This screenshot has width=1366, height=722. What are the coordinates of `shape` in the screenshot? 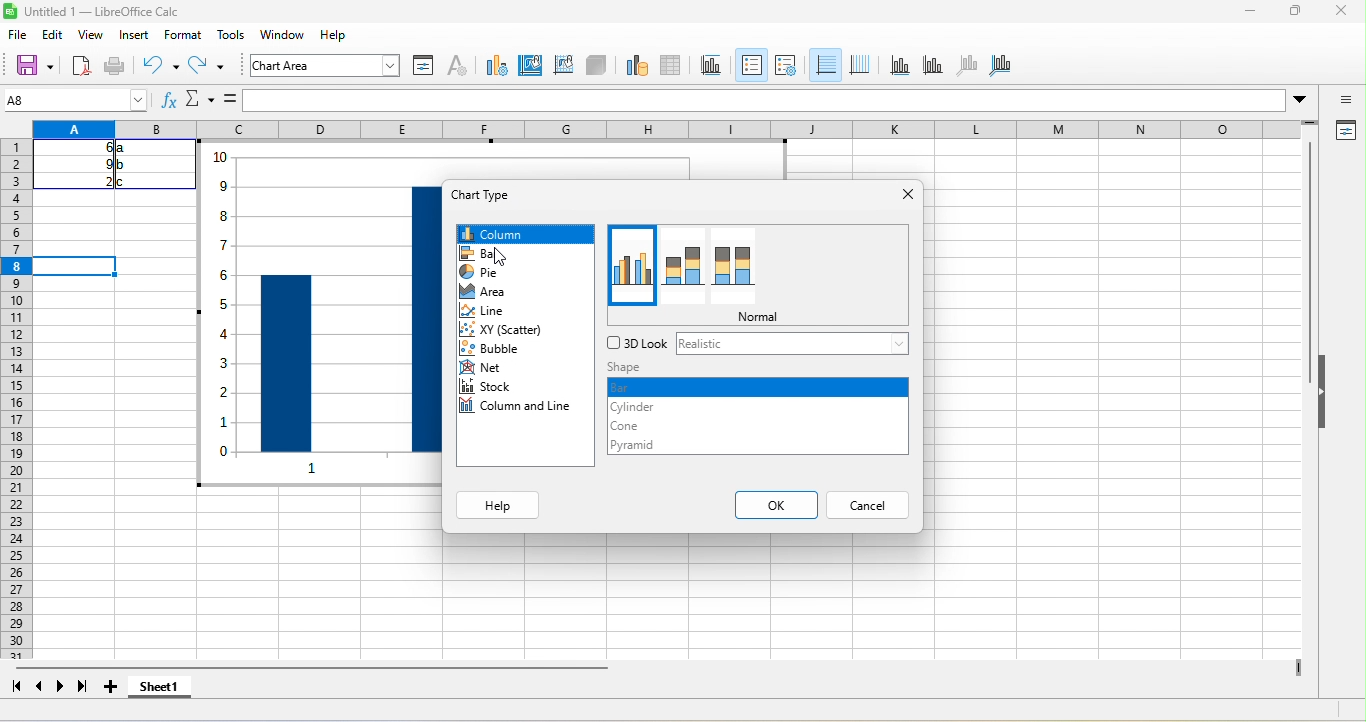 It's located at (681, 368).